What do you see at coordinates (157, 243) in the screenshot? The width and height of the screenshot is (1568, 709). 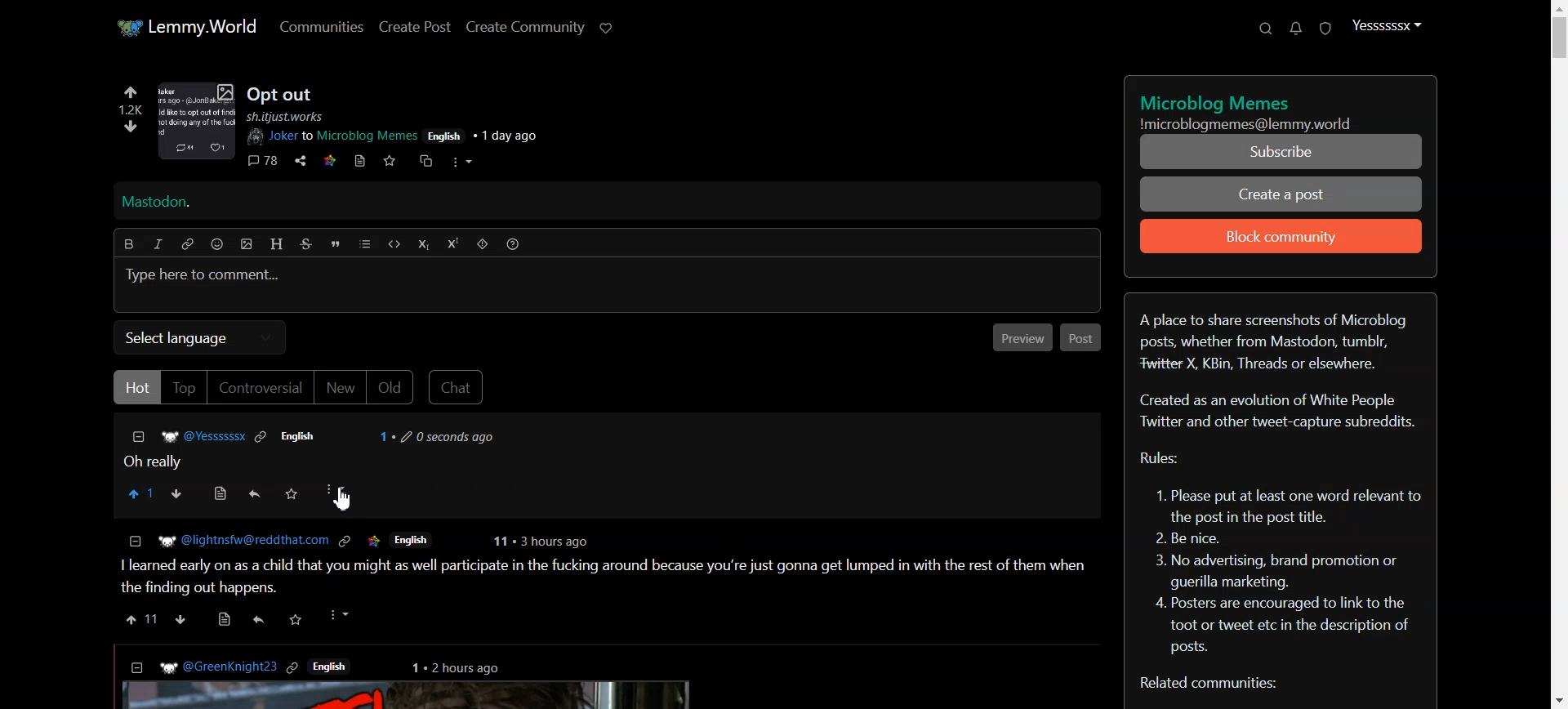 I see `Italic` at bounding box center [157, 243].